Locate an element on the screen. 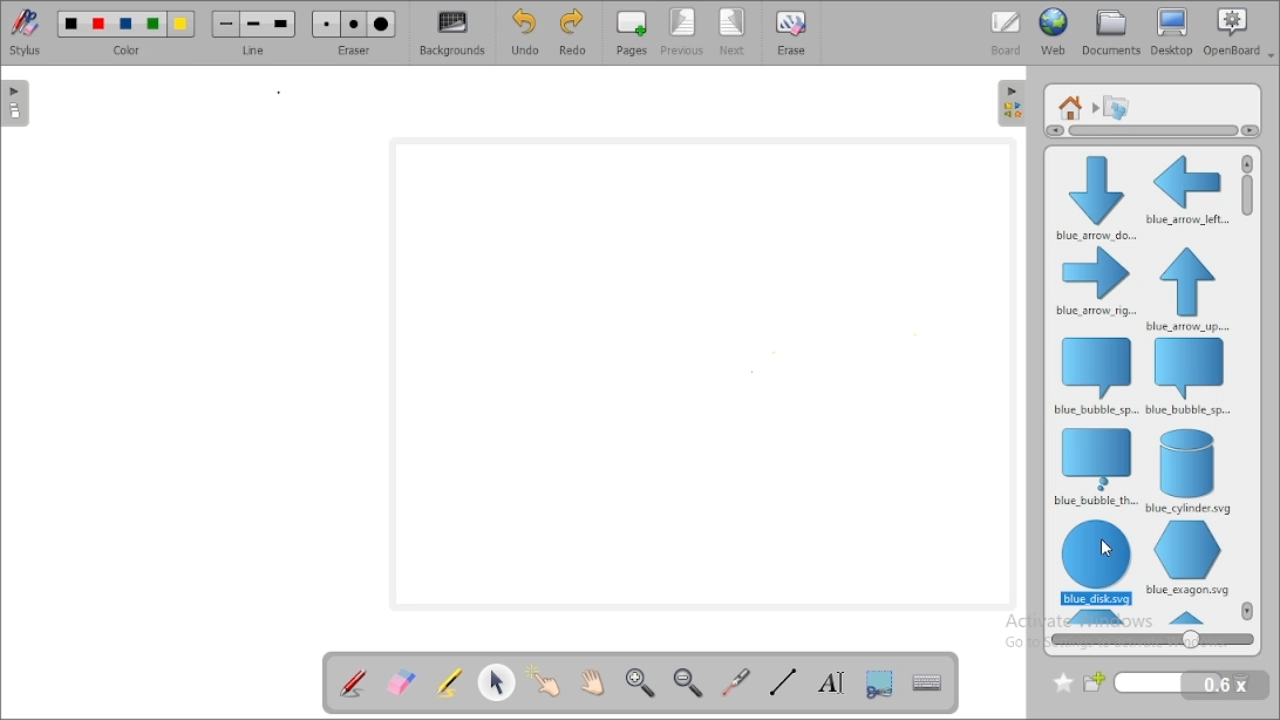 This screenshot has width=1280, height=720. interact with items is located at coordinates (547, 679).